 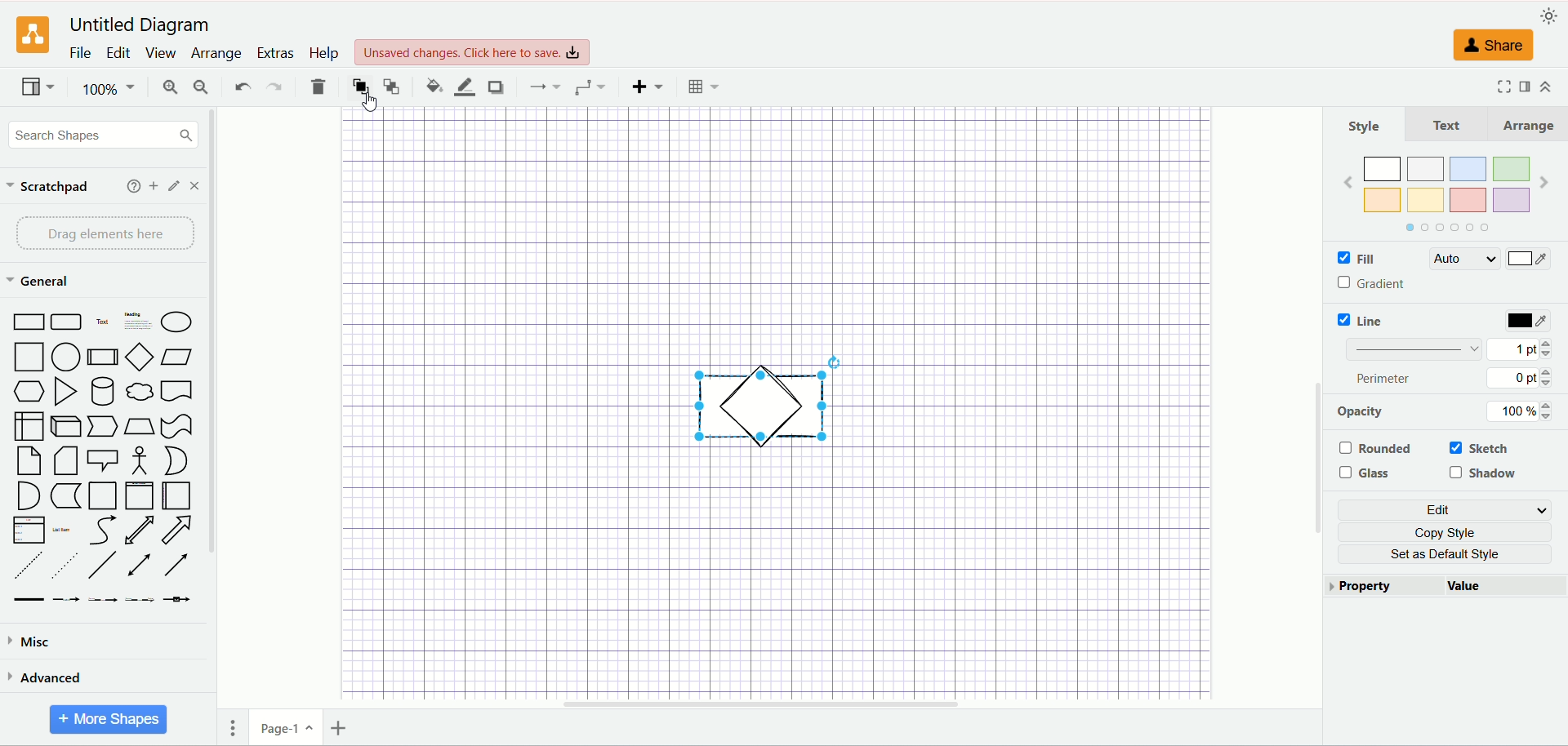 I want to click on process, so click(x=104, y=357).